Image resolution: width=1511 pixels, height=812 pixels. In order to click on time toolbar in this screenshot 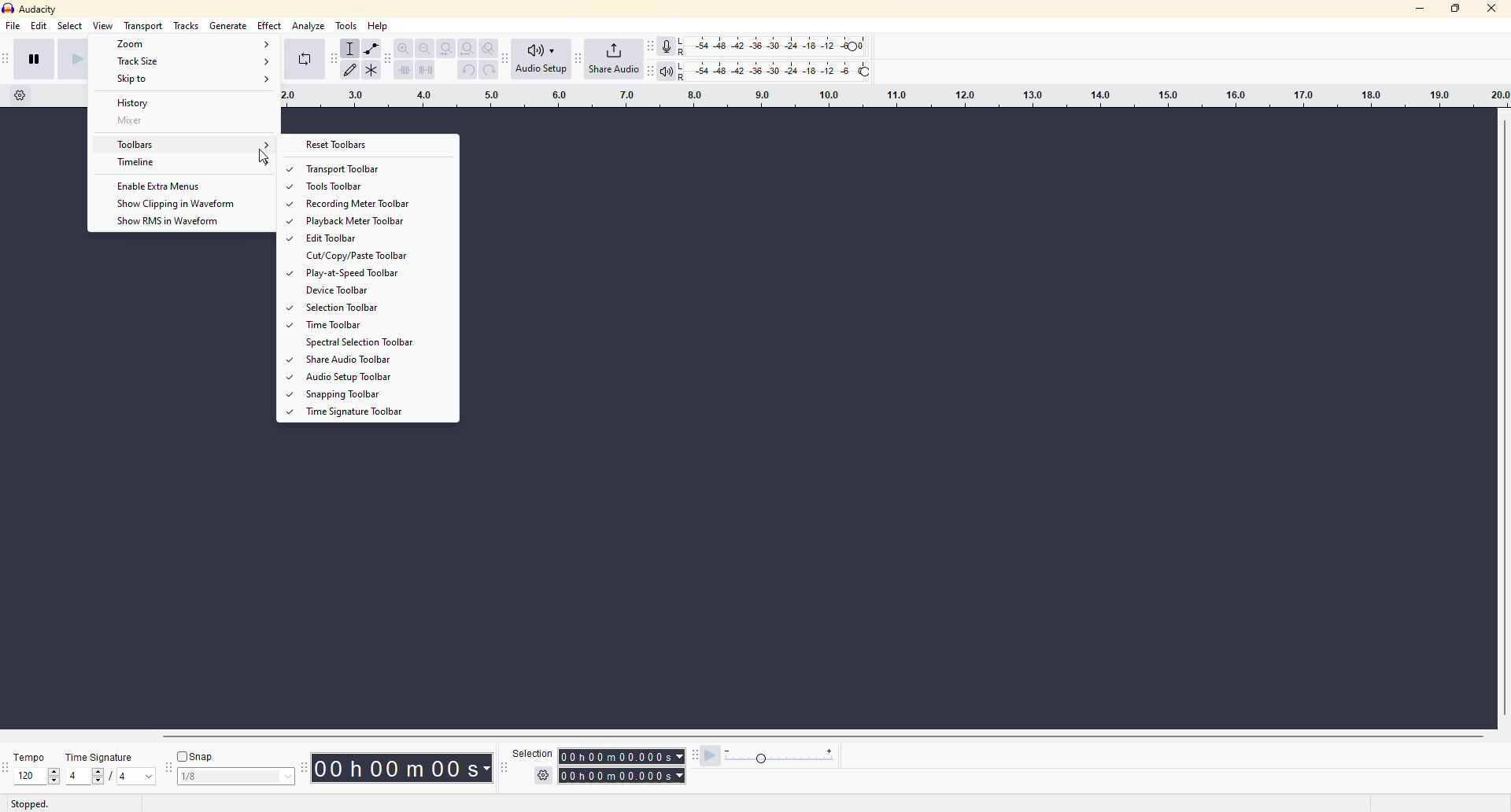, I will do `click(327, 326)`.